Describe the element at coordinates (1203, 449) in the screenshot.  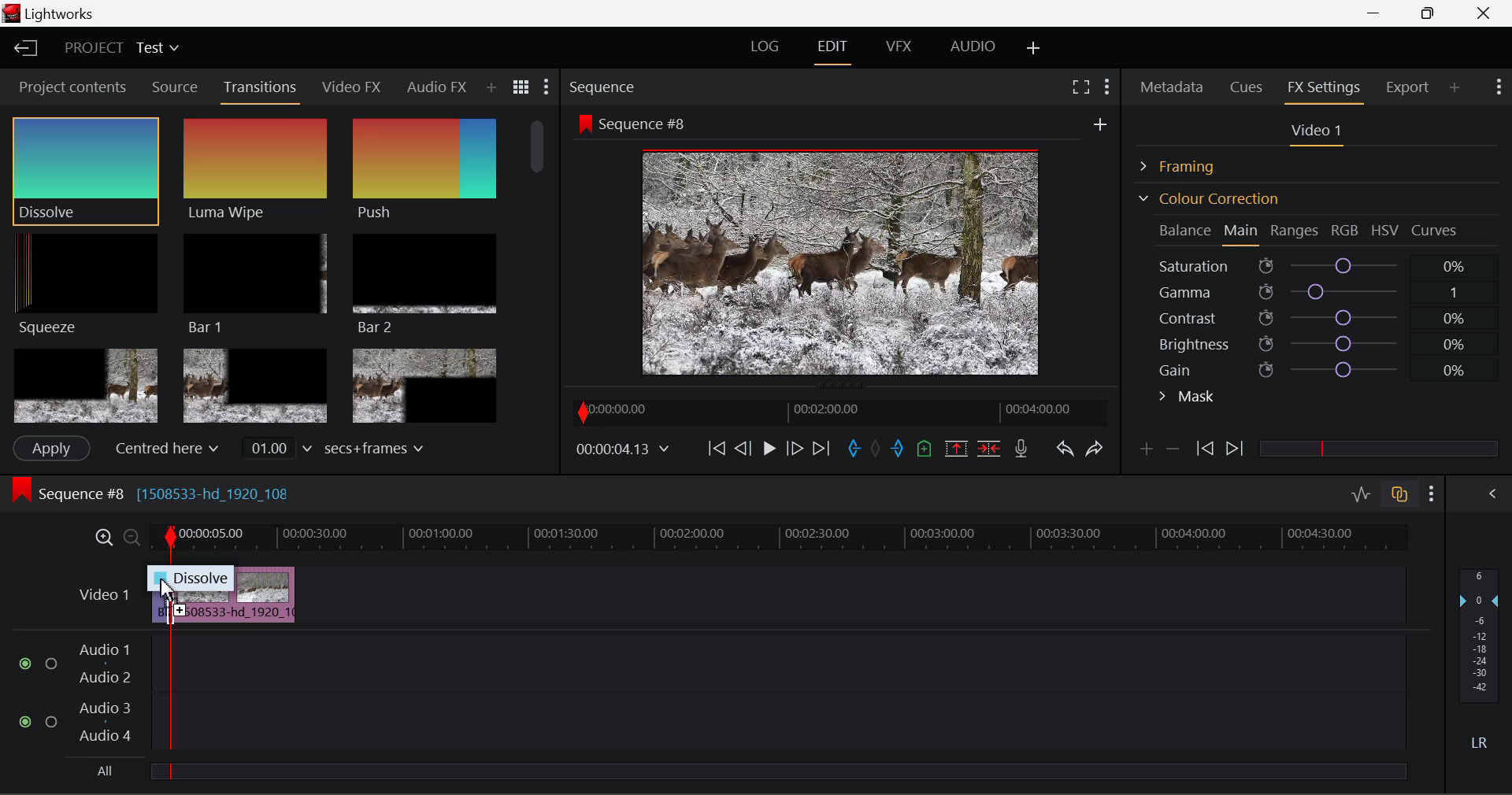
I see `Previous keyframe` at that location.